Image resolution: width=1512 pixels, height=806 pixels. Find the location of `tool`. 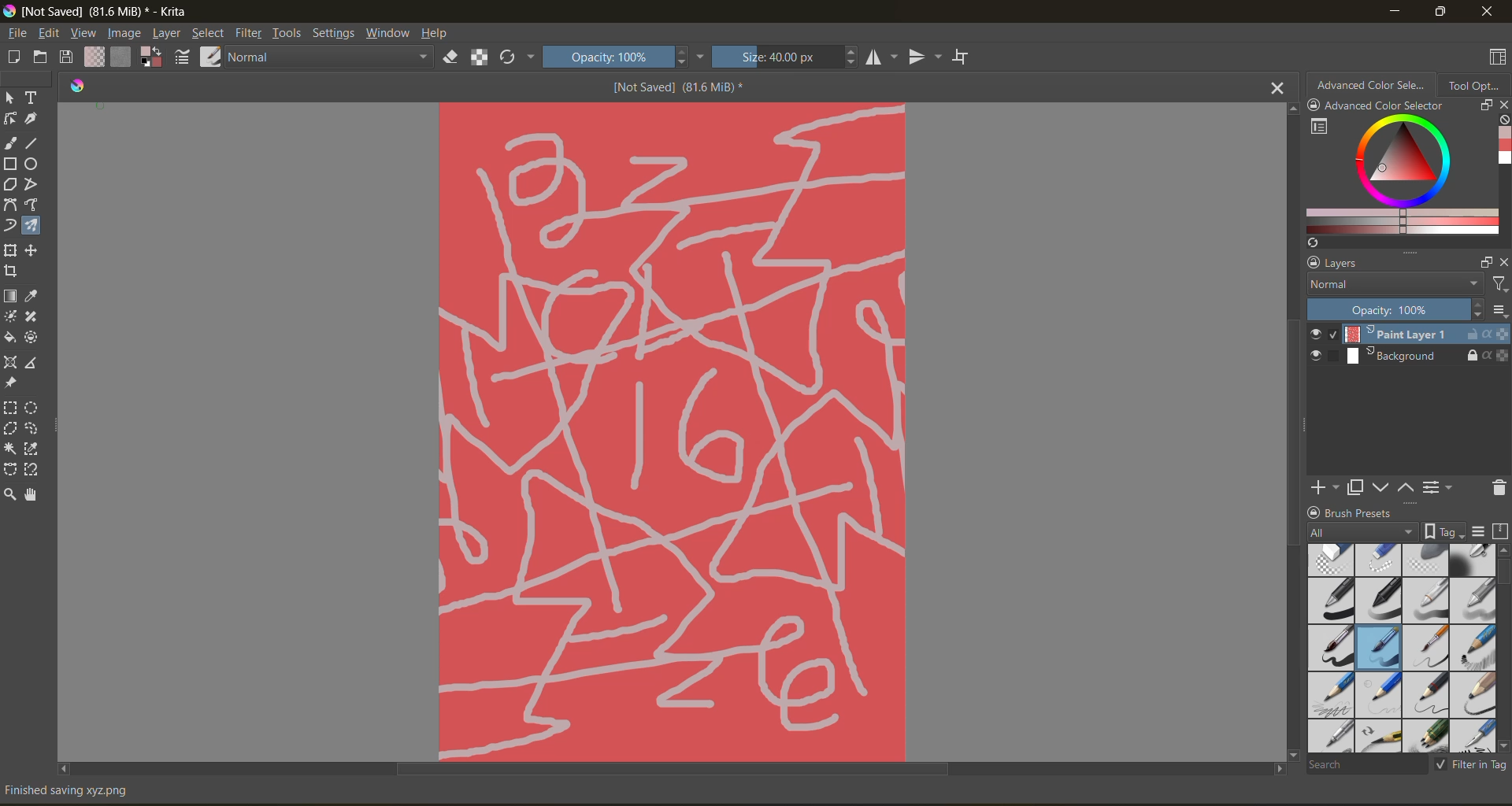

tool is located at coordinates (11, 383).